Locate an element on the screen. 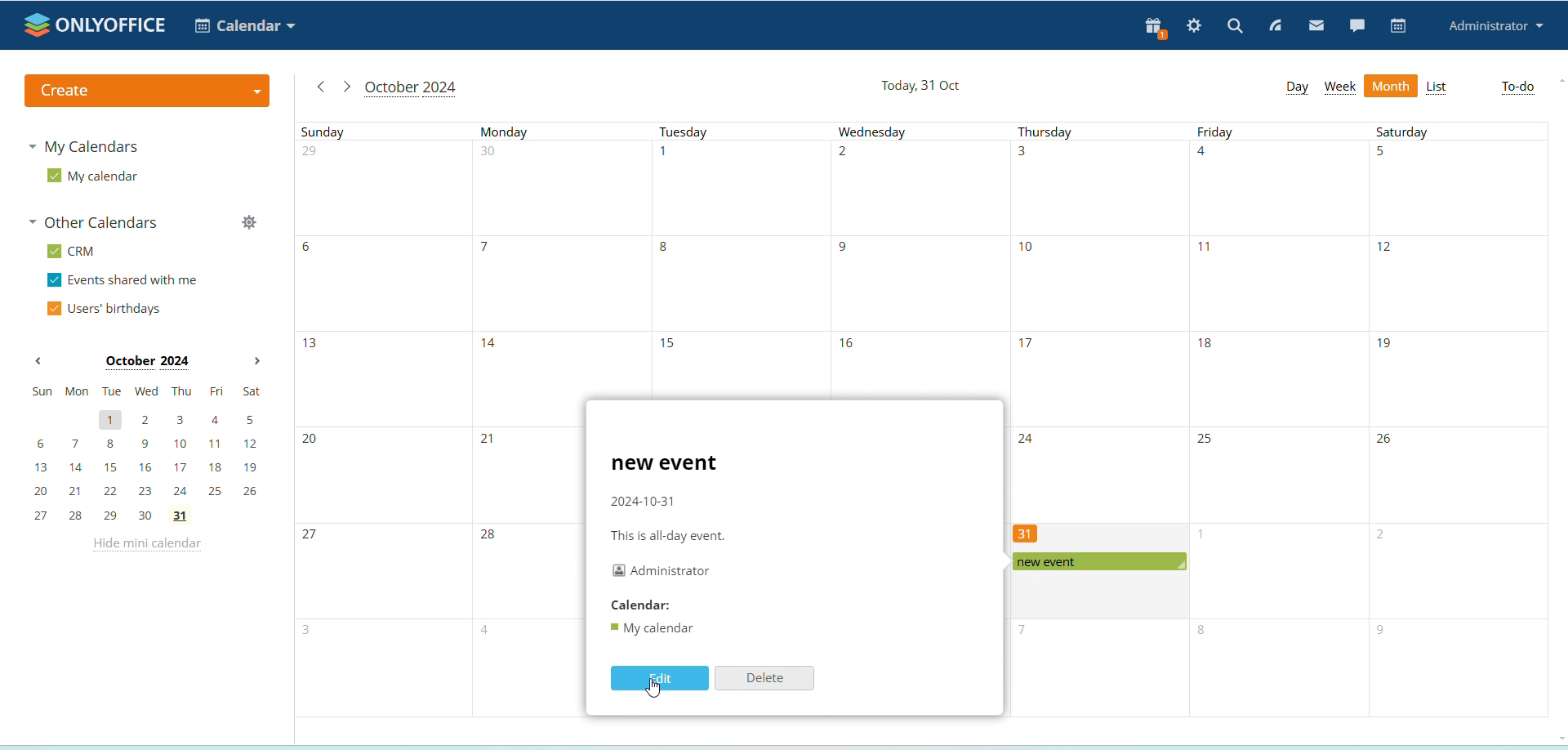 This screenshot has height=750, width=1568. chat is located at coordinates (1356, 25).